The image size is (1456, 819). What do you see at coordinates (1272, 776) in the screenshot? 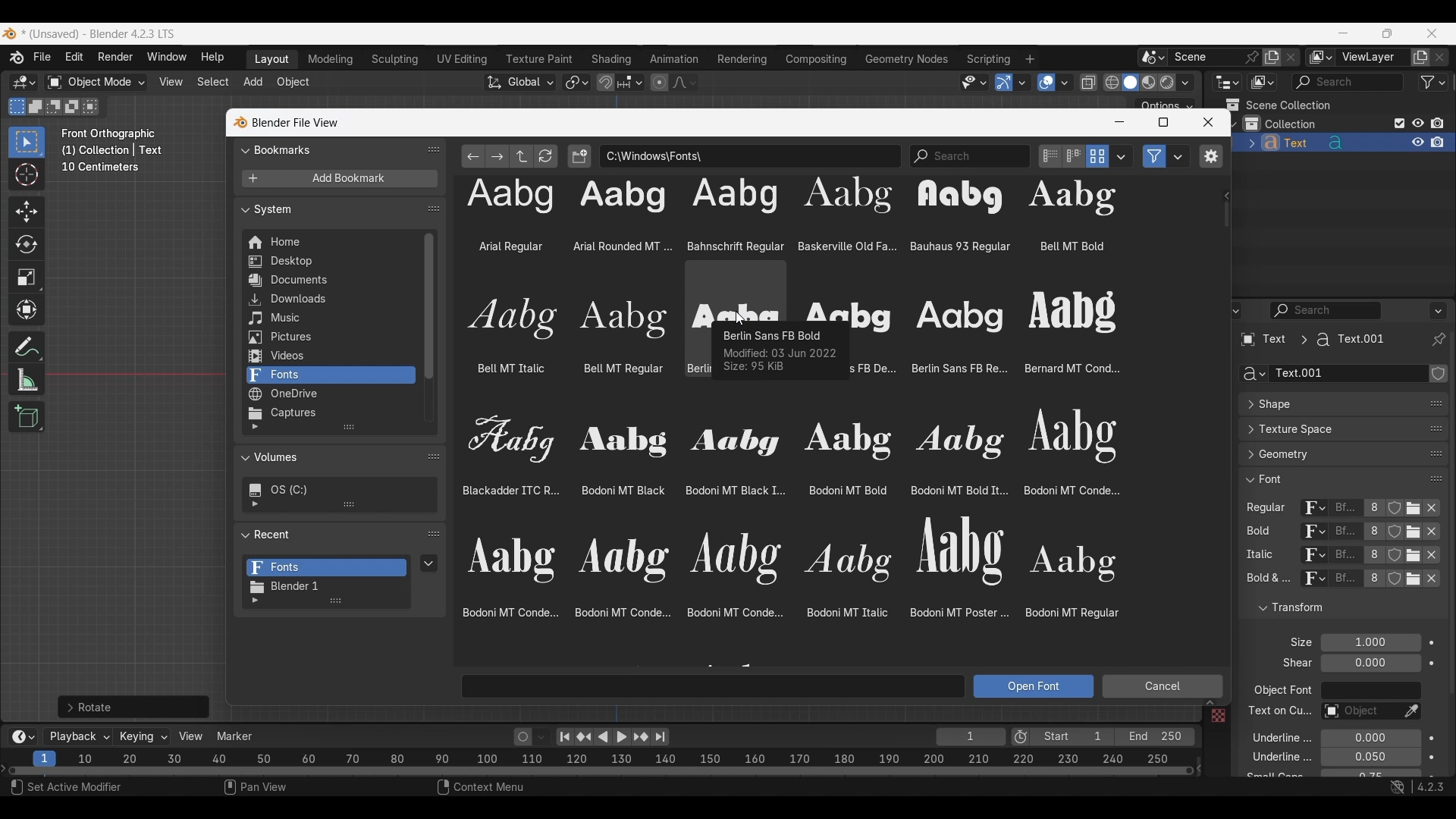
I see `text` at bounding box center [1272, 776].